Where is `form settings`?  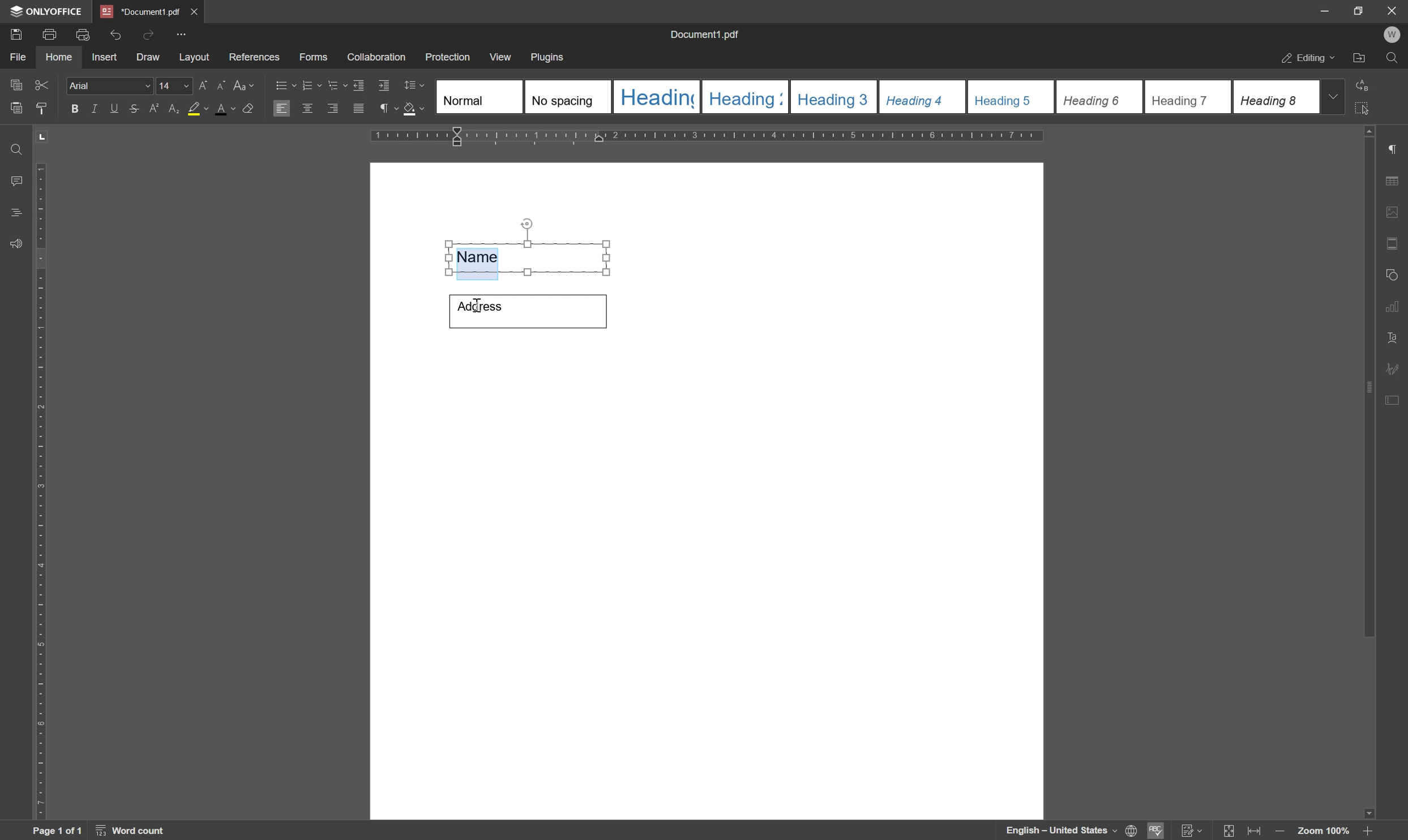 form settings is located at coordinates (1394, 398).